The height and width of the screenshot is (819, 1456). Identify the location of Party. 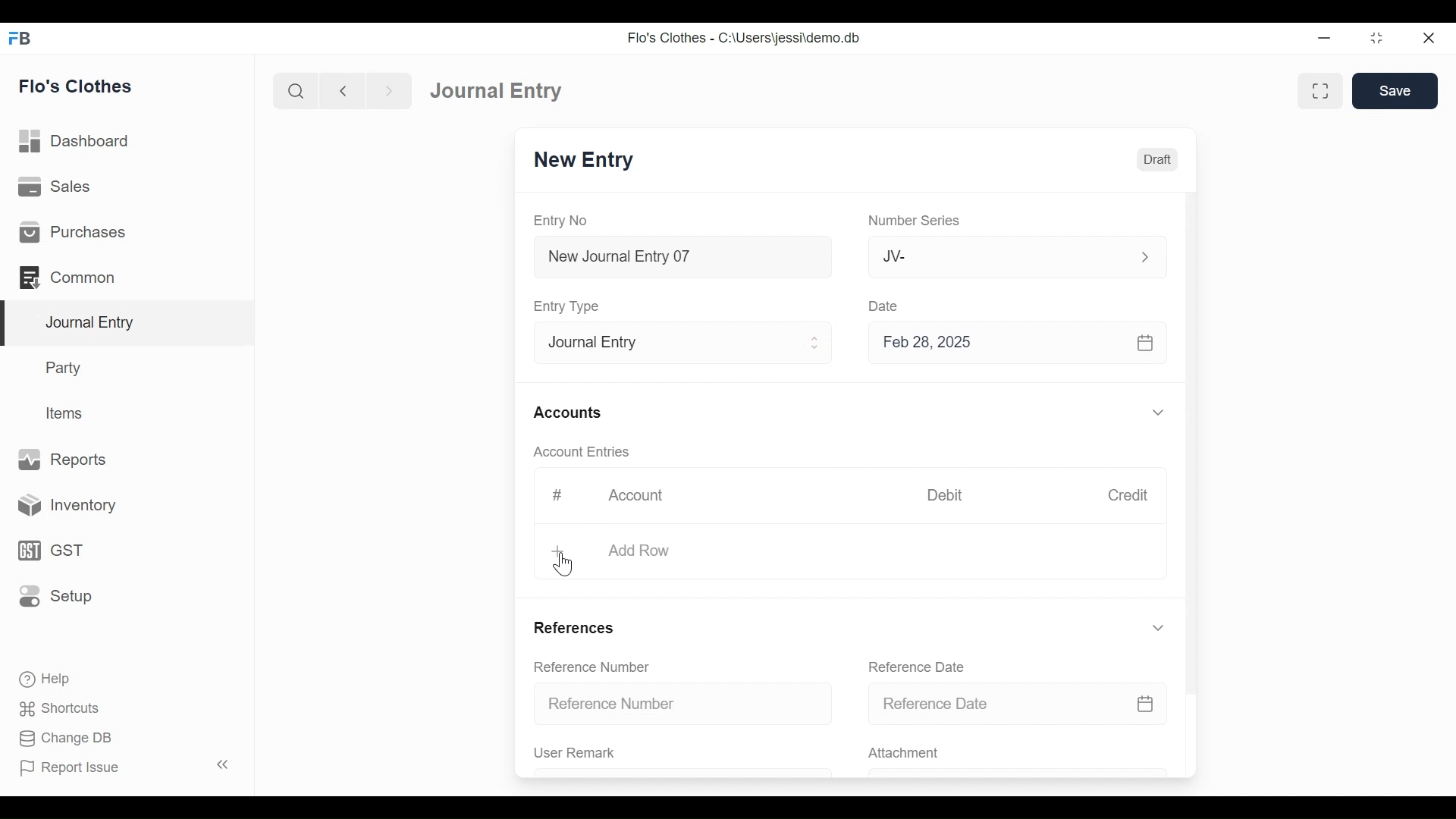
(66, 367).